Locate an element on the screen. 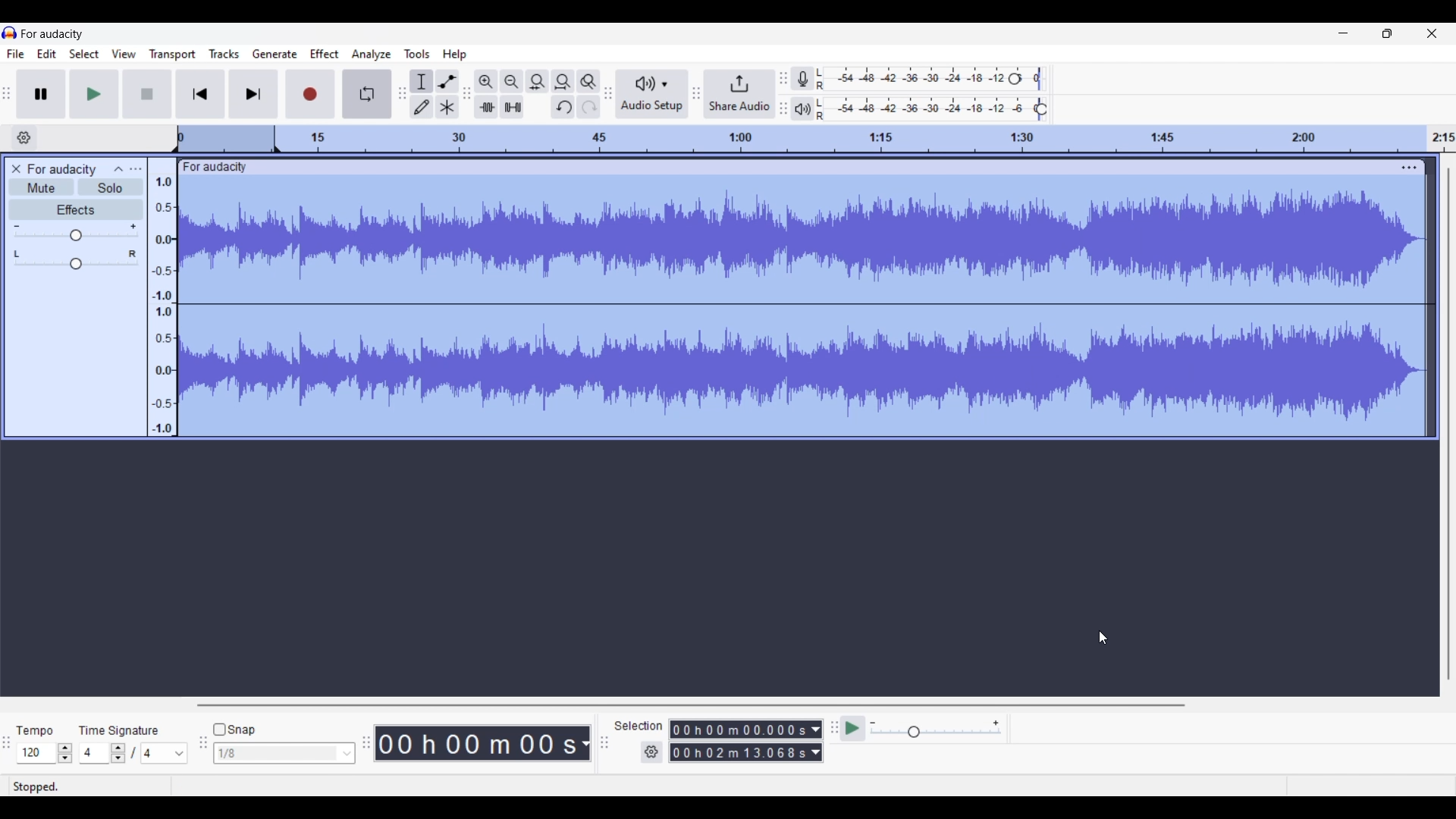 This screenshot has width=1456, height=819. Solo is located at coordinates (111, 187).